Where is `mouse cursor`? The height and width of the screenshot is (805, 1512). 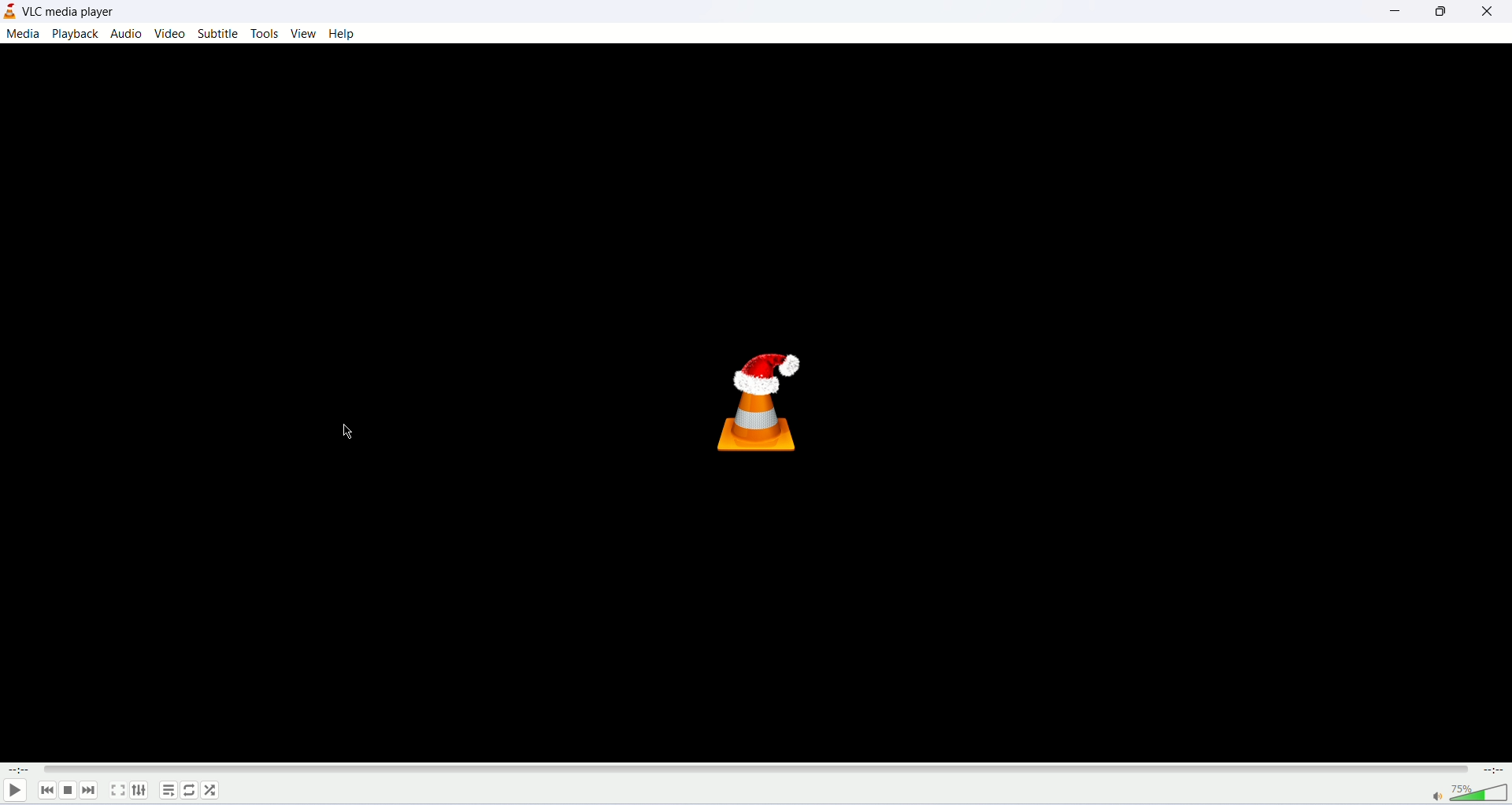
mouse cursor is located at coordinates (348, 433).